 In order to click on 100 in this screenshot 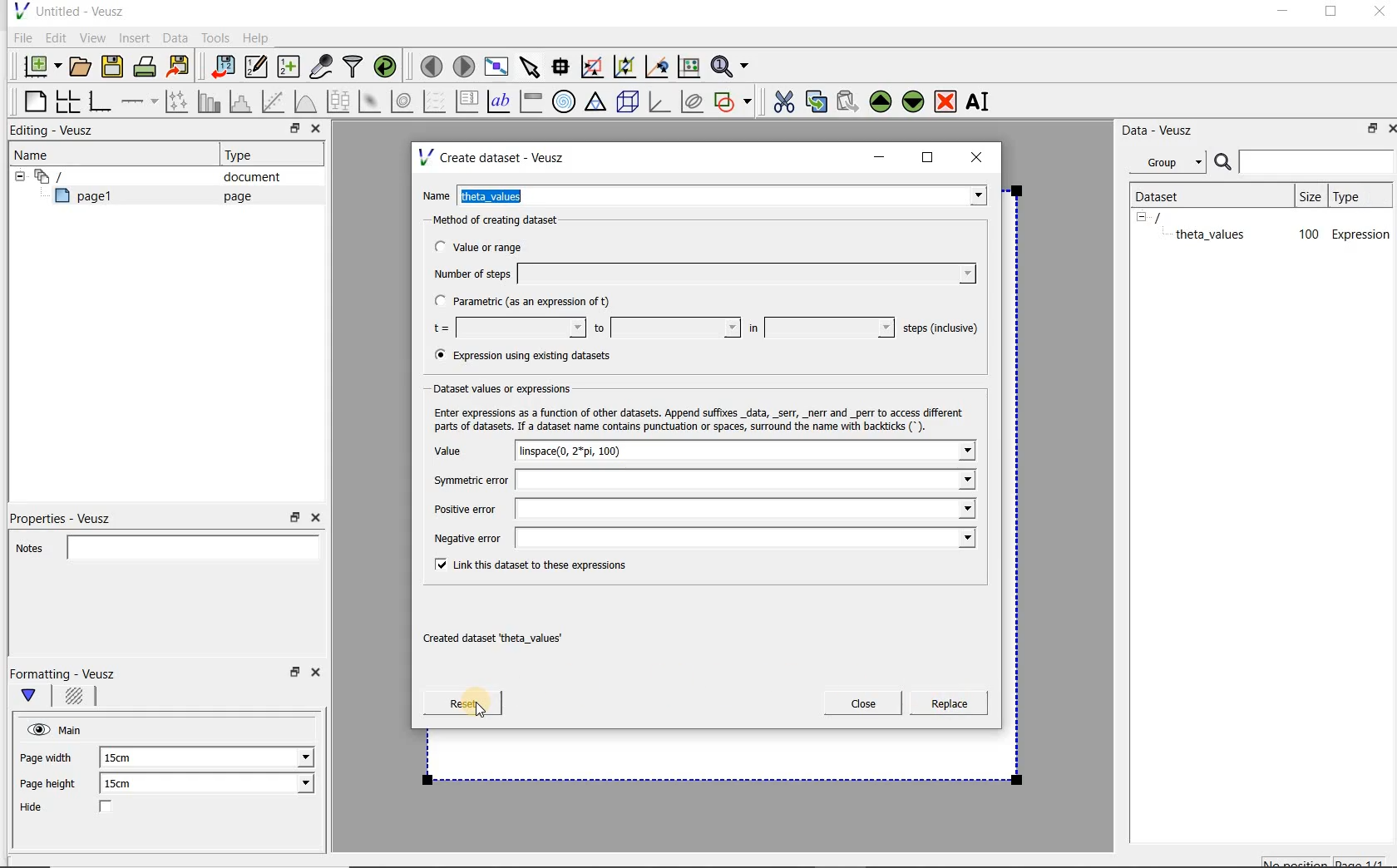, I will do `click(1307, 235)`.